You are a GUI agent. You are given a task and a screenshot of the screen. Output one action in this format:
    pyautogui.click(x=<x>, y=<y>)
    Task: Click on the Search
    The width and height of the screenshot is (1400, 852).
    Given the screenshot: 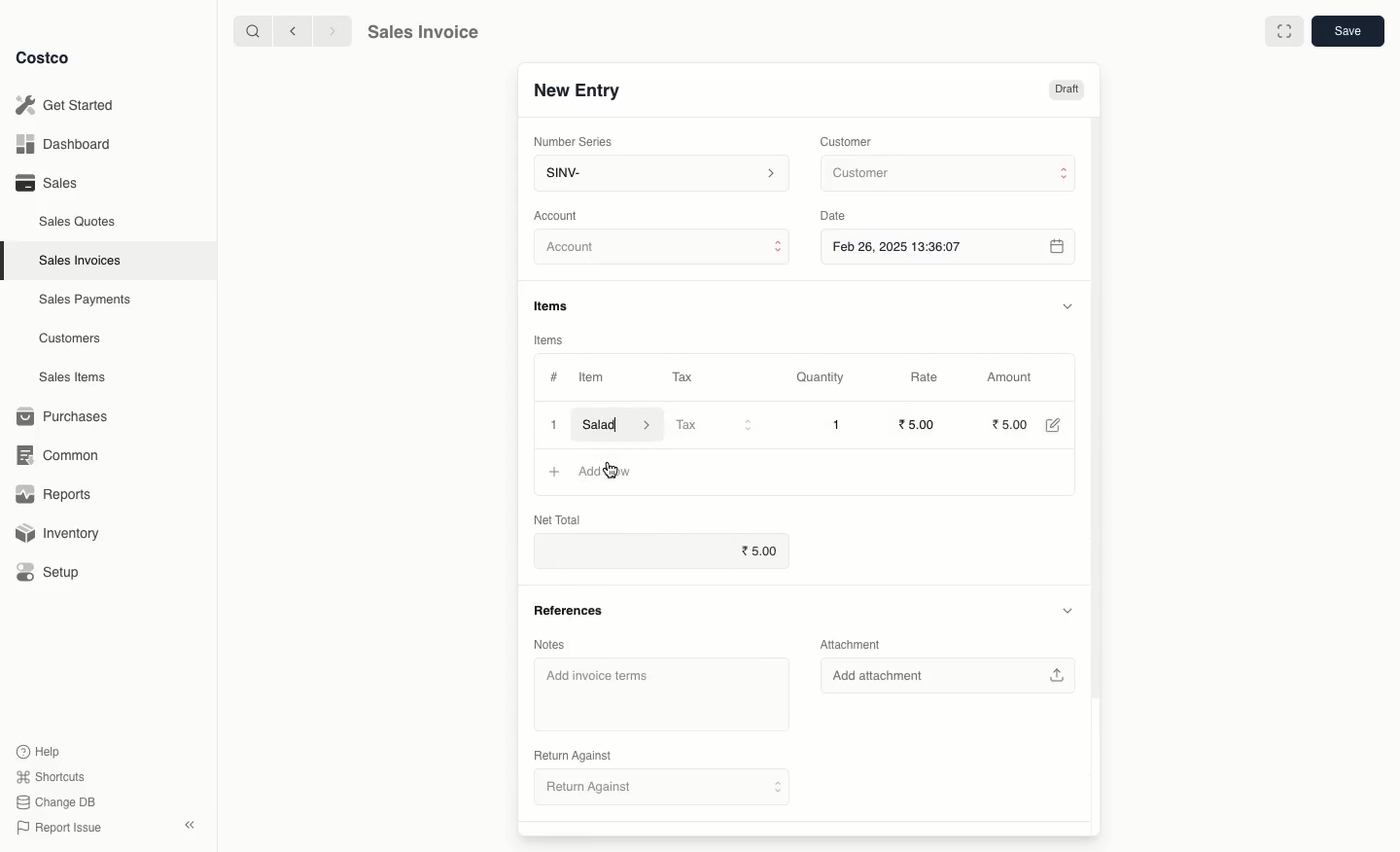 What is the action you would take?
    pyautogui.click(x=250, y=30)
    